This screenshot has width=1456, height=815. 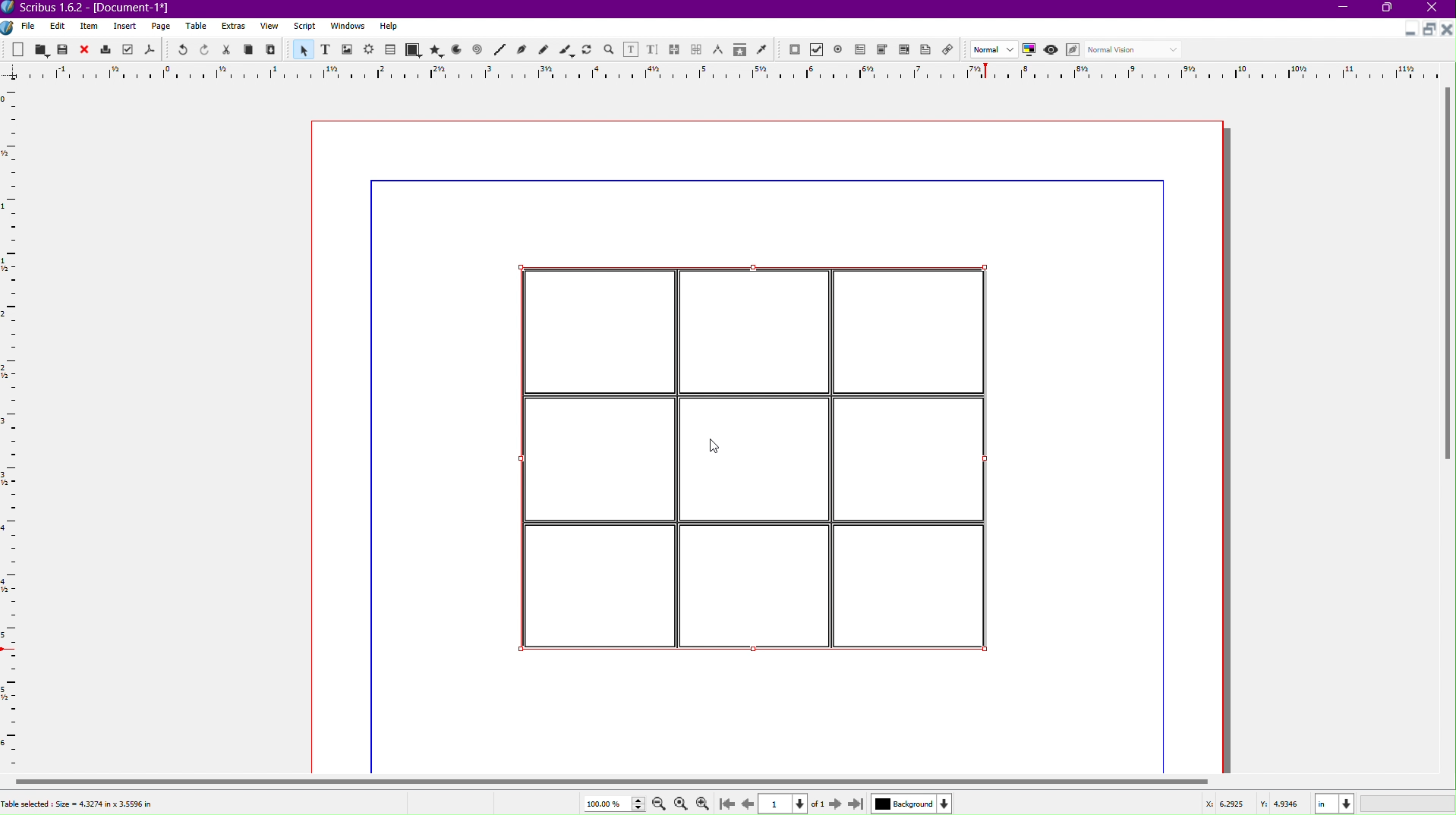 I want to click on Page, so click(x=162, y=27).